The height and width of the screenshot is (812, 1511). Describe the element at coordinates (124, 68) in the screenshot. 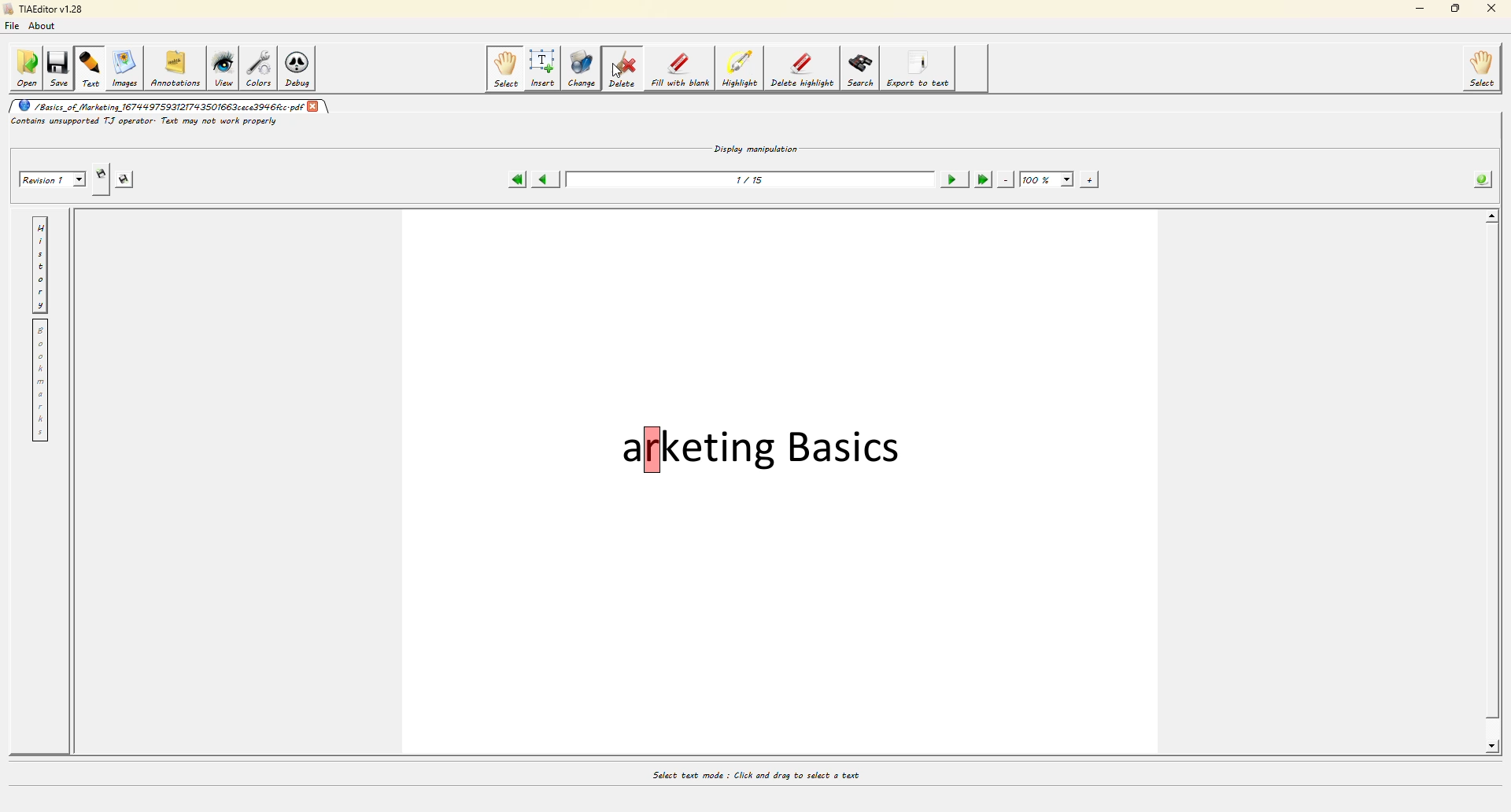

I see `images` at that location.